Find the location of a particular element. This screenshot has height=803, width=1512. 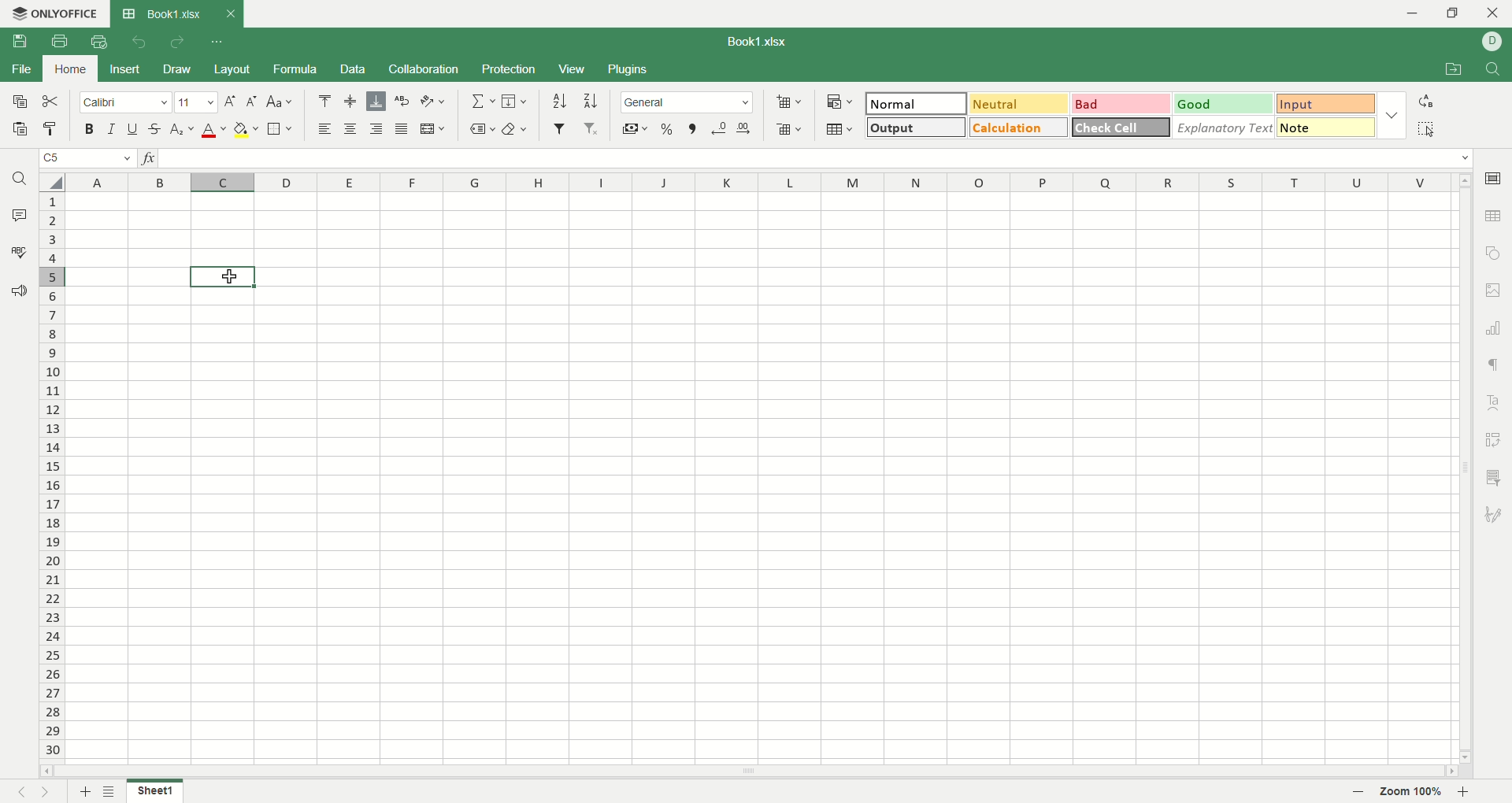

decrease font size is located at coordinates (252, 101).